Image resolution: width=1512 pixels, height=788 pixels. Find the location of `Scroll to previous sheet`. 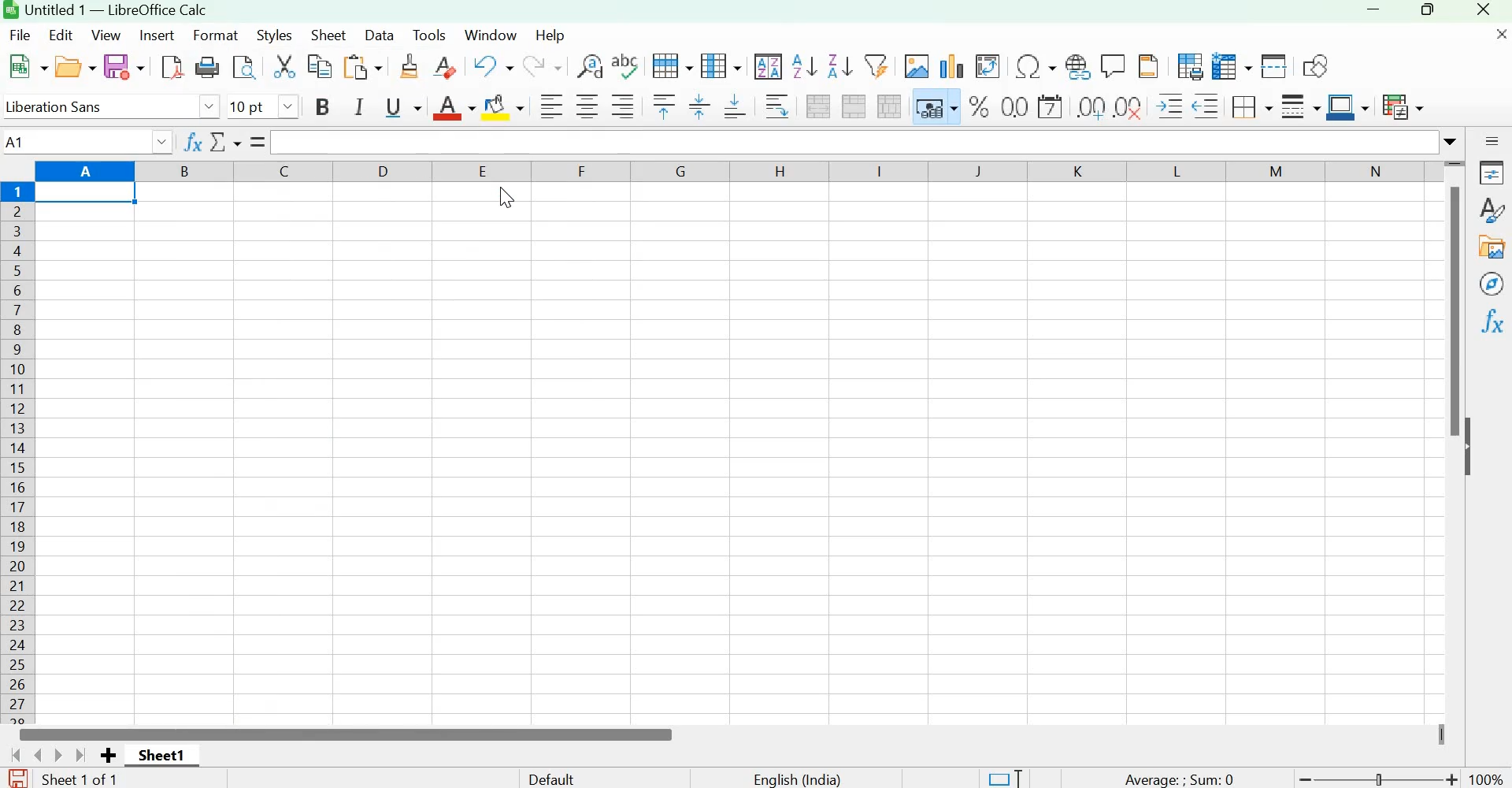

Scroll to previous sheet is located at coordinates (39, 753).